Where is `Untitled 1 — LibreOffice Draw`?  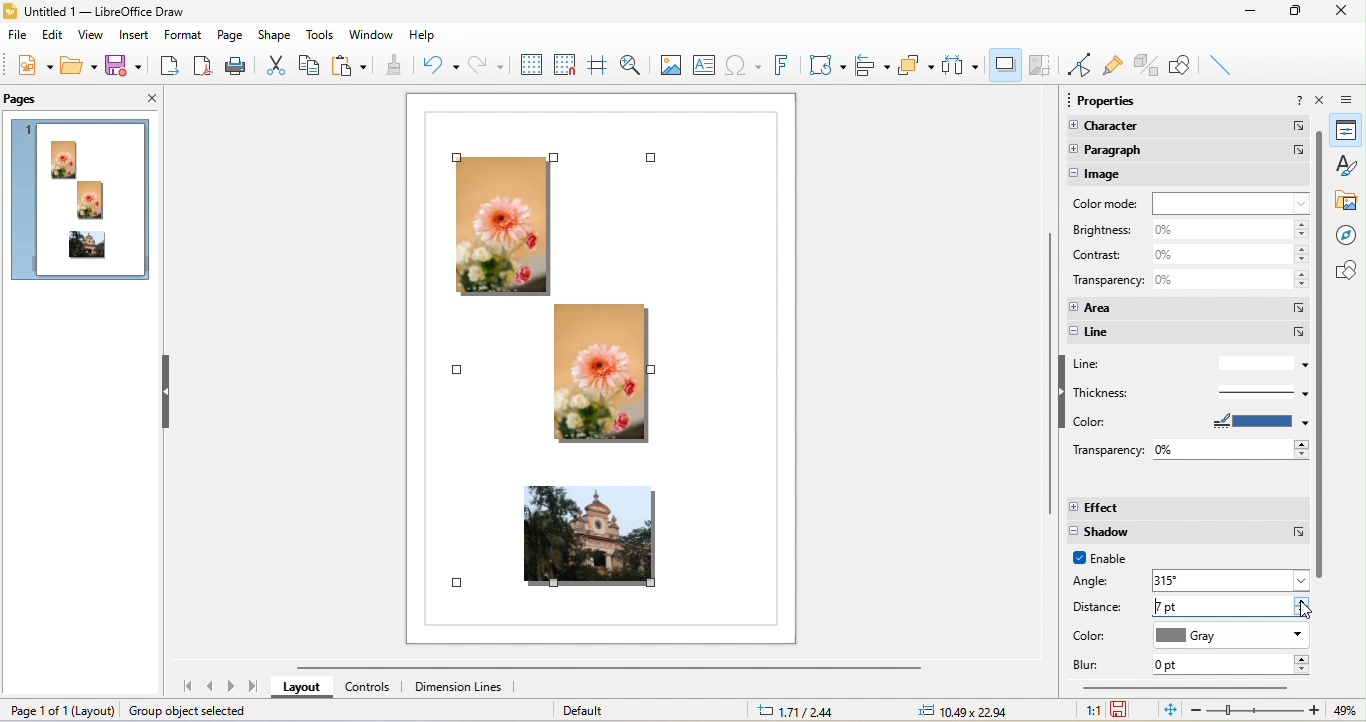 Untitled 1 — LibreOffice Draw is located at coordinates (94, 12).